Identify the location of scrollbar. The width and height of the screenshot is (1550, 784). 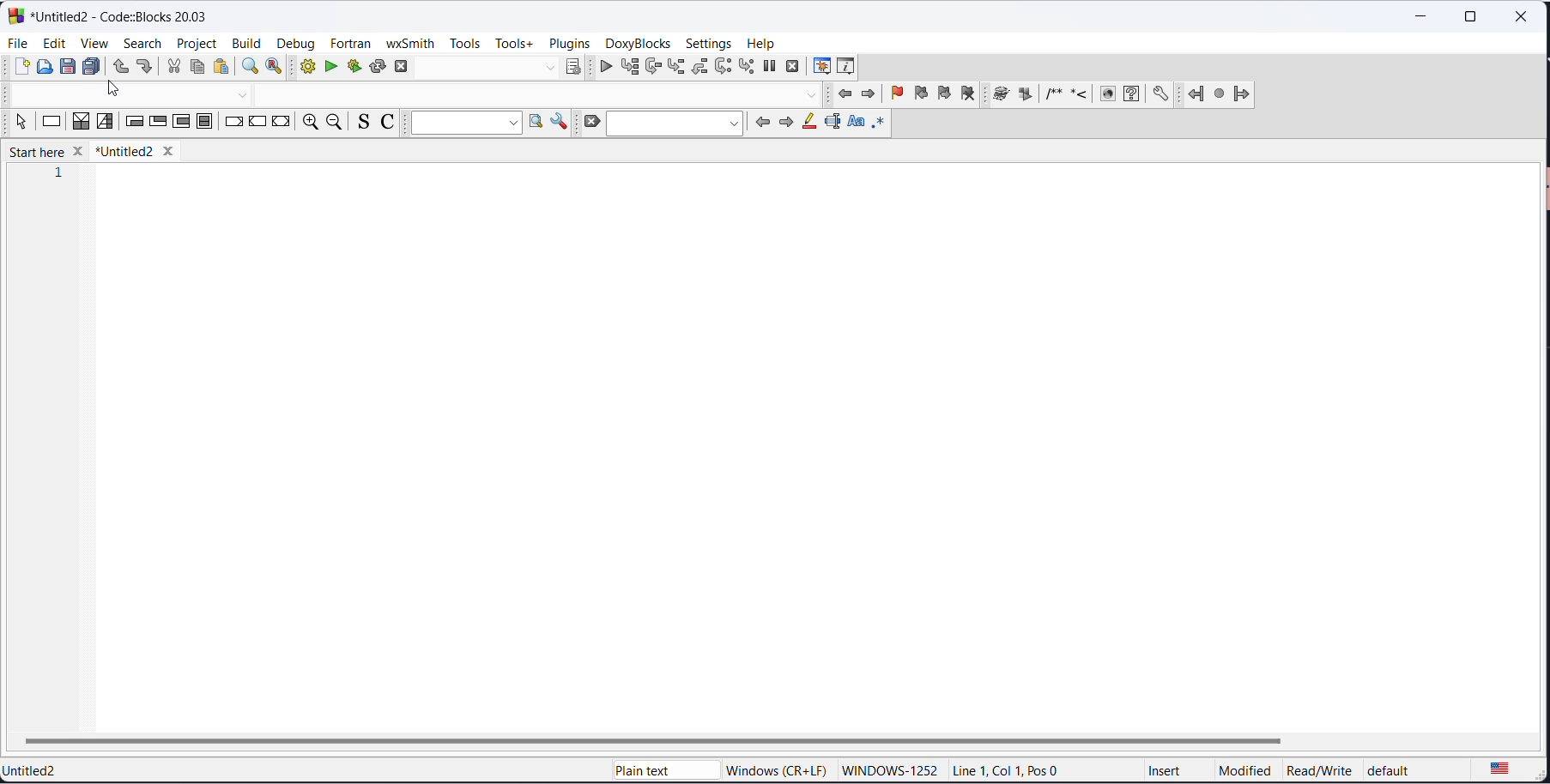
(657, 739).